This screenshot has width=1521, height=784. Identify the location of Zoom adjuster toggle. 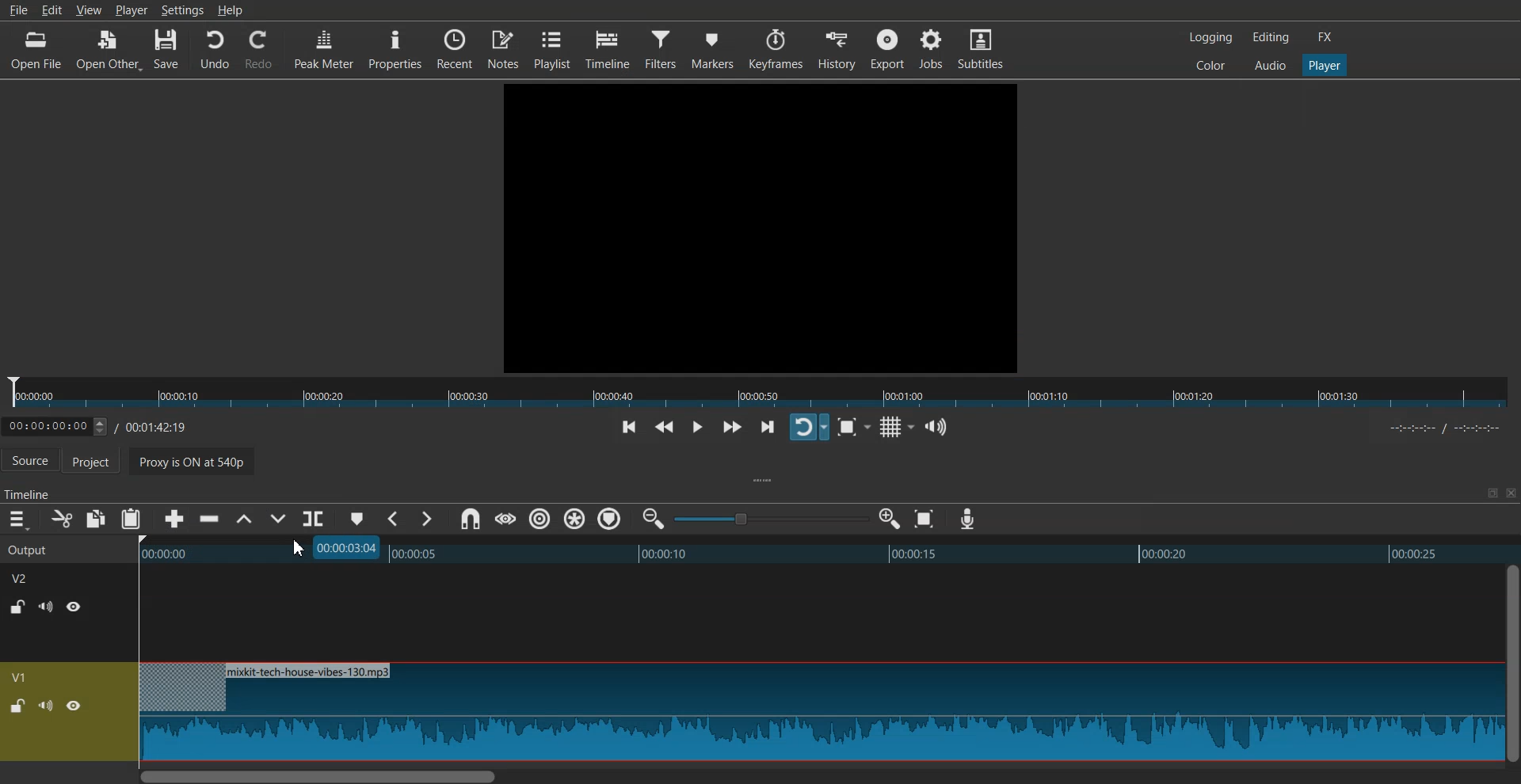
(771, 519).